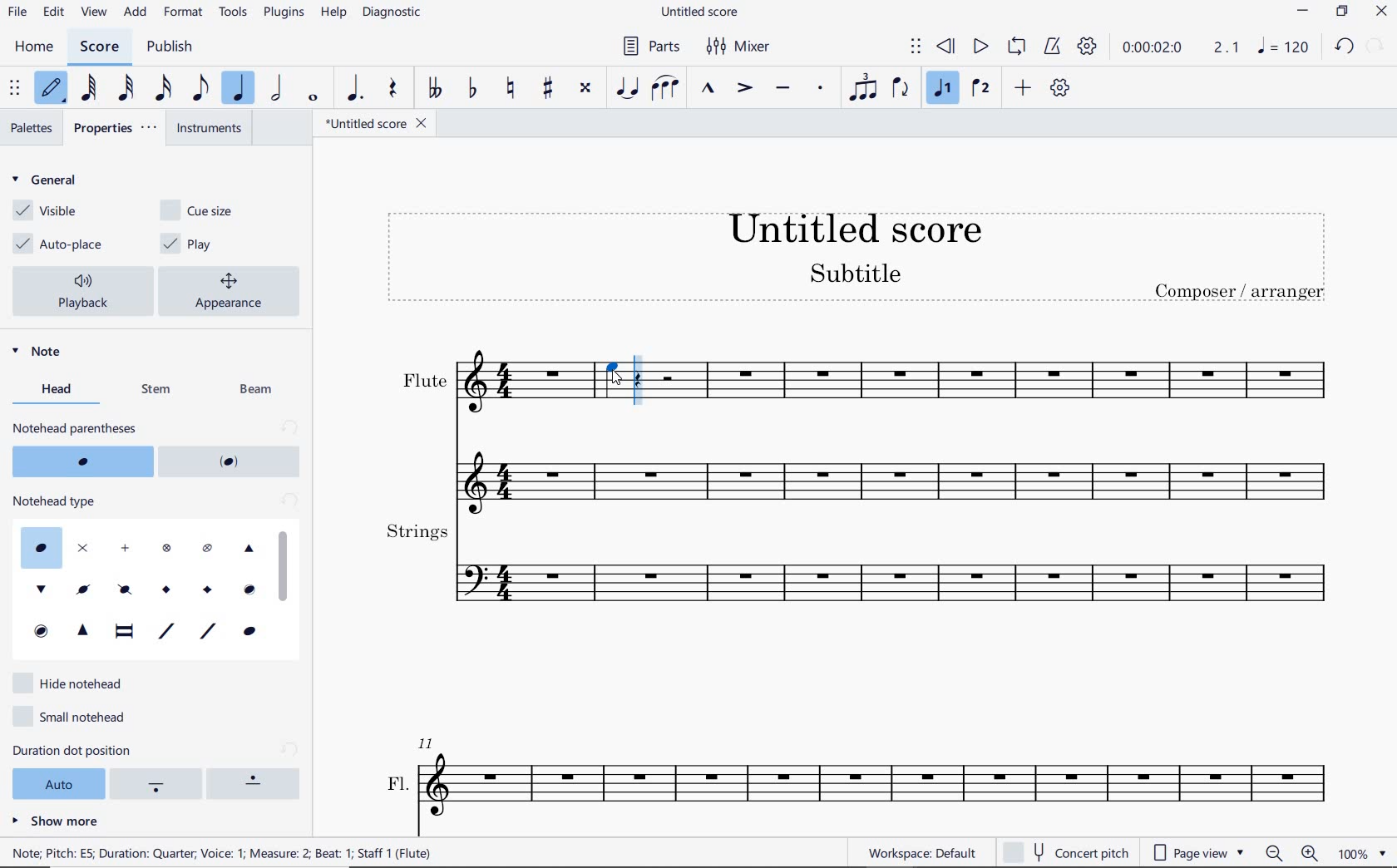 The height and width of the screenshot is (868, 1397). What do you see at coordinates (201, 210) in the screenshot?
I see `CUE SIZE` at bounding box center [201, 210].